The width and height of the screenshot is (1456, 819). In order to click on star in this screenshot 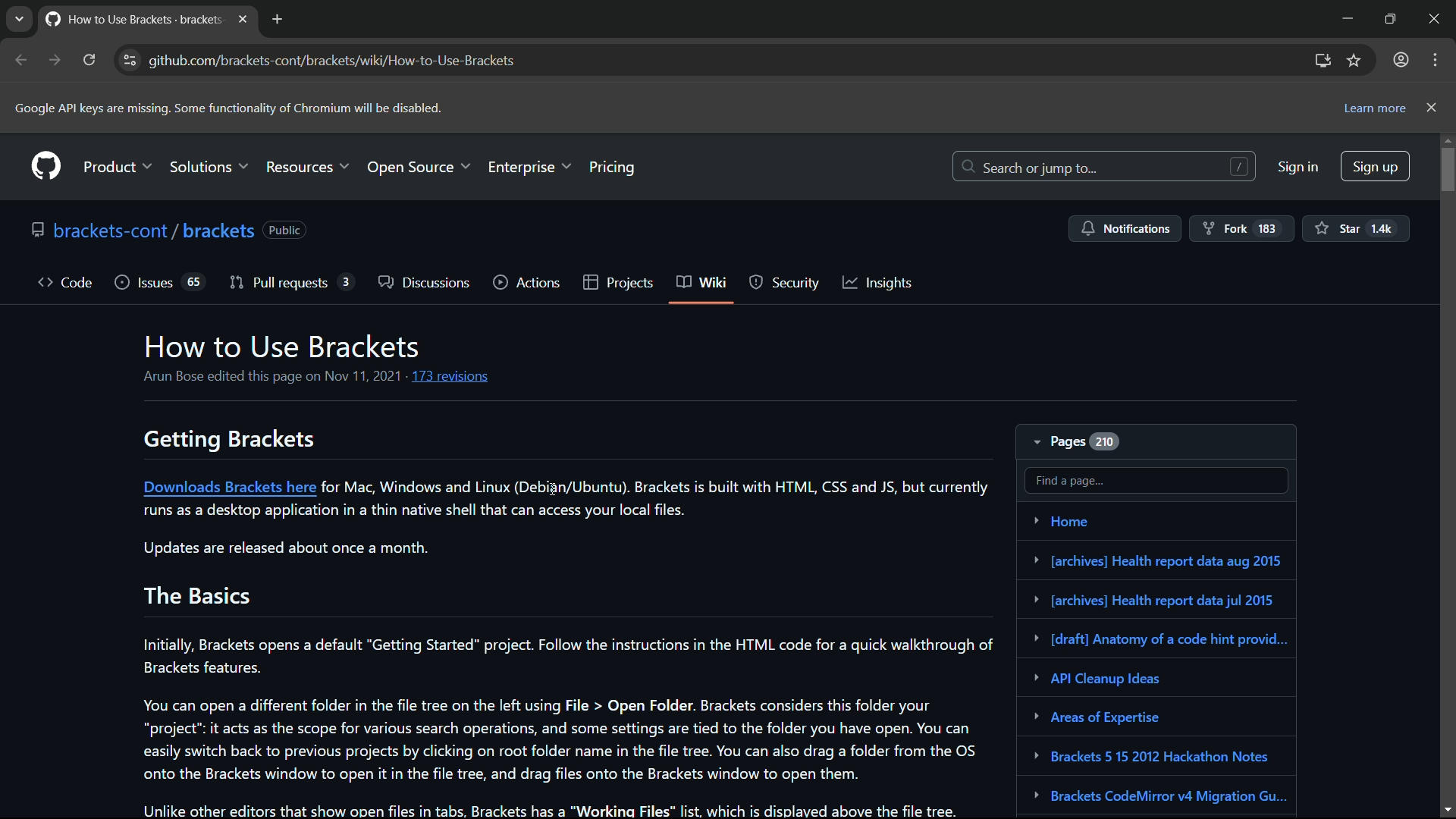, I will do `click(1357, 227)`.